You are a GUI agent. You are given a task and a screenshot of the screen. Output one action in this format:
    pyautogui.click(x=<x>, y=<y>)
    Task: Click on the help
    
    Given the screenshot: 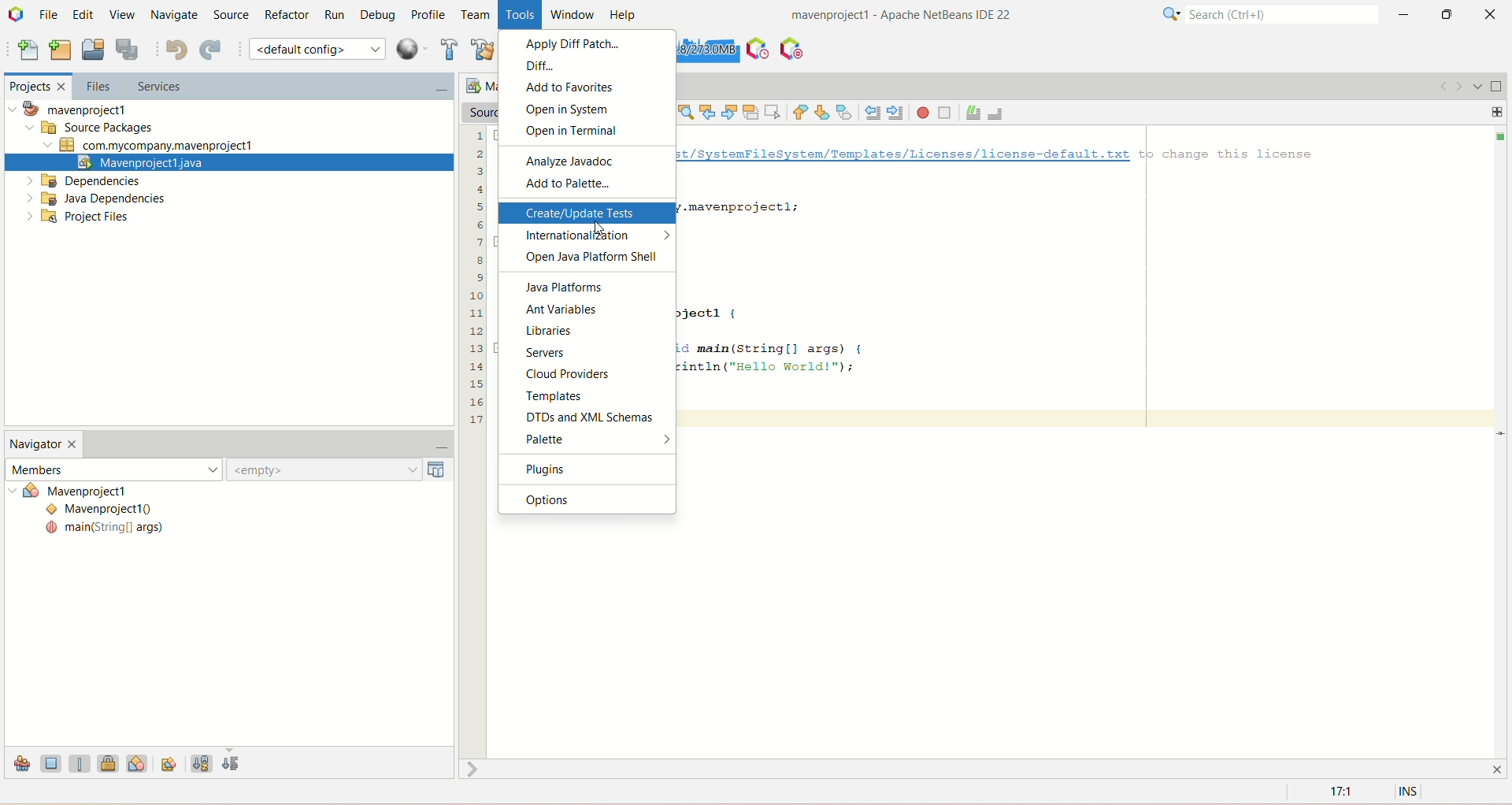 What is the action you would take?
    pyautogui.click(x=627, y=14)
    